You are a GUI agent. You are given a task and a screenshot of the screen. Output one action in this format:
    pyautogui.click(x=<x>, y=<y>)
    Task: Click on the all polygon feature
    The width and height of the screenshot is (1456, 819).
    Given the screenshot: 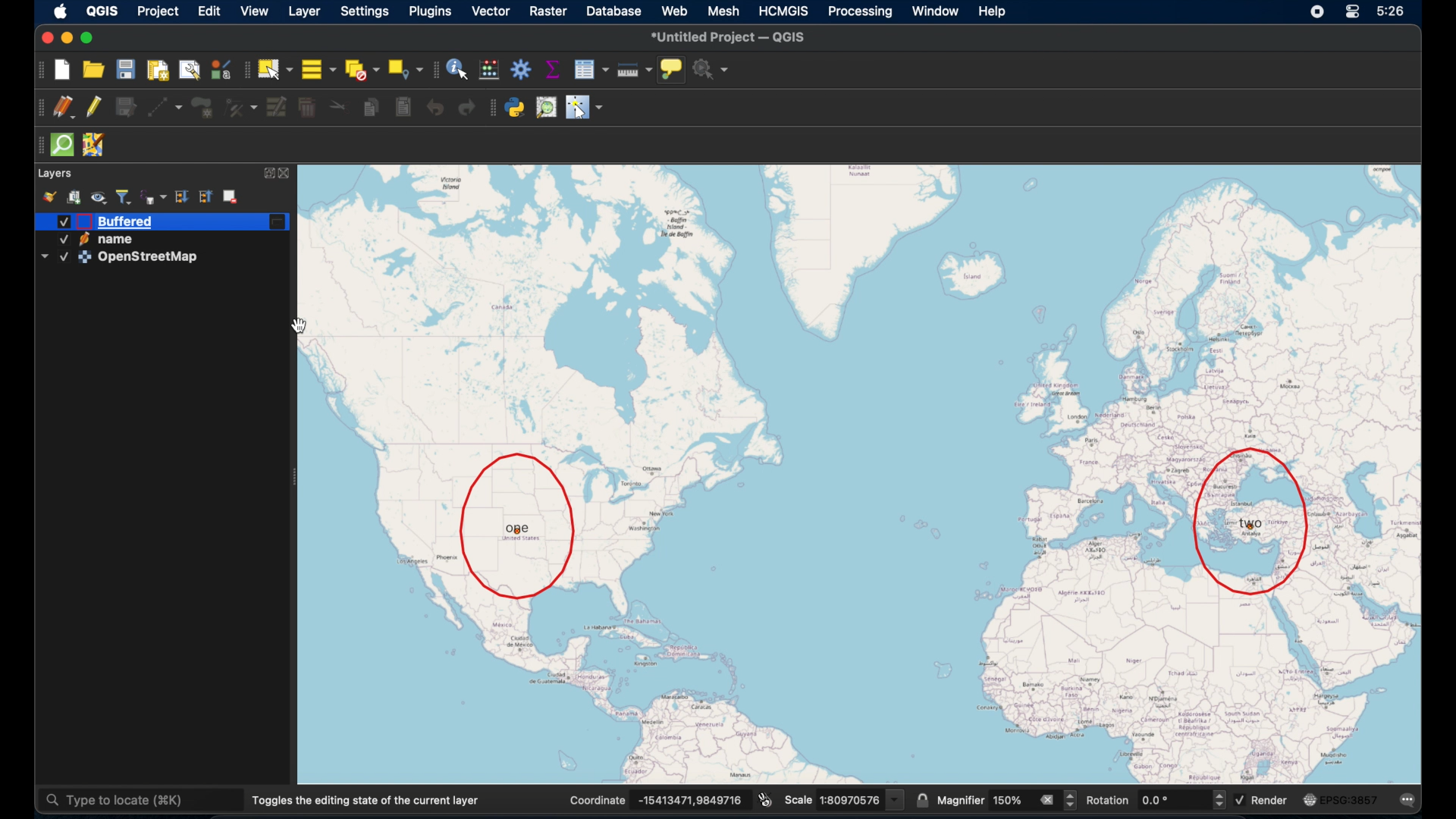 What is the action you would take?
    pyautogui.click(x=202, y=108)
    